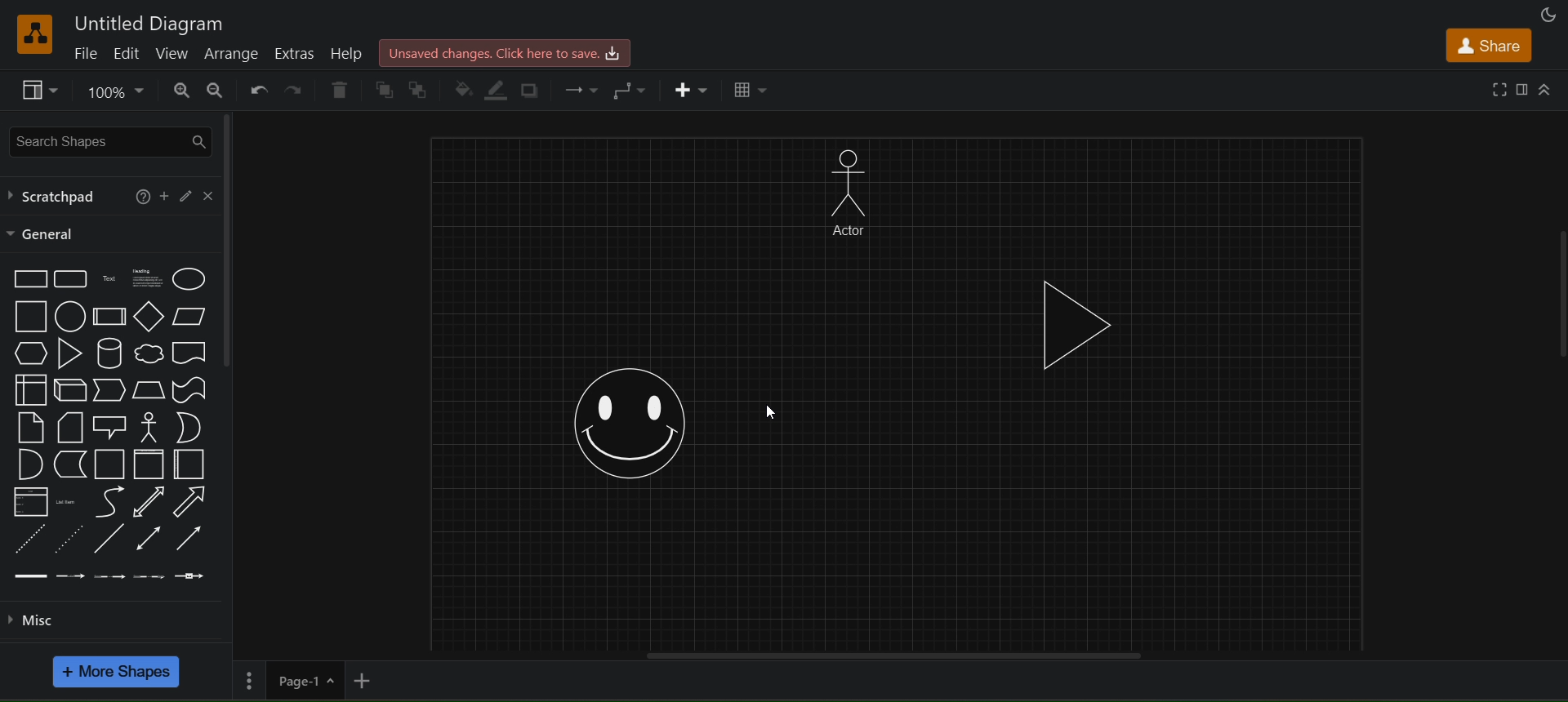 The height and width of the screenshot is (702, 1568). Describe the element at coordinates (84, 53) in the screenshot. I see `file` at that location.